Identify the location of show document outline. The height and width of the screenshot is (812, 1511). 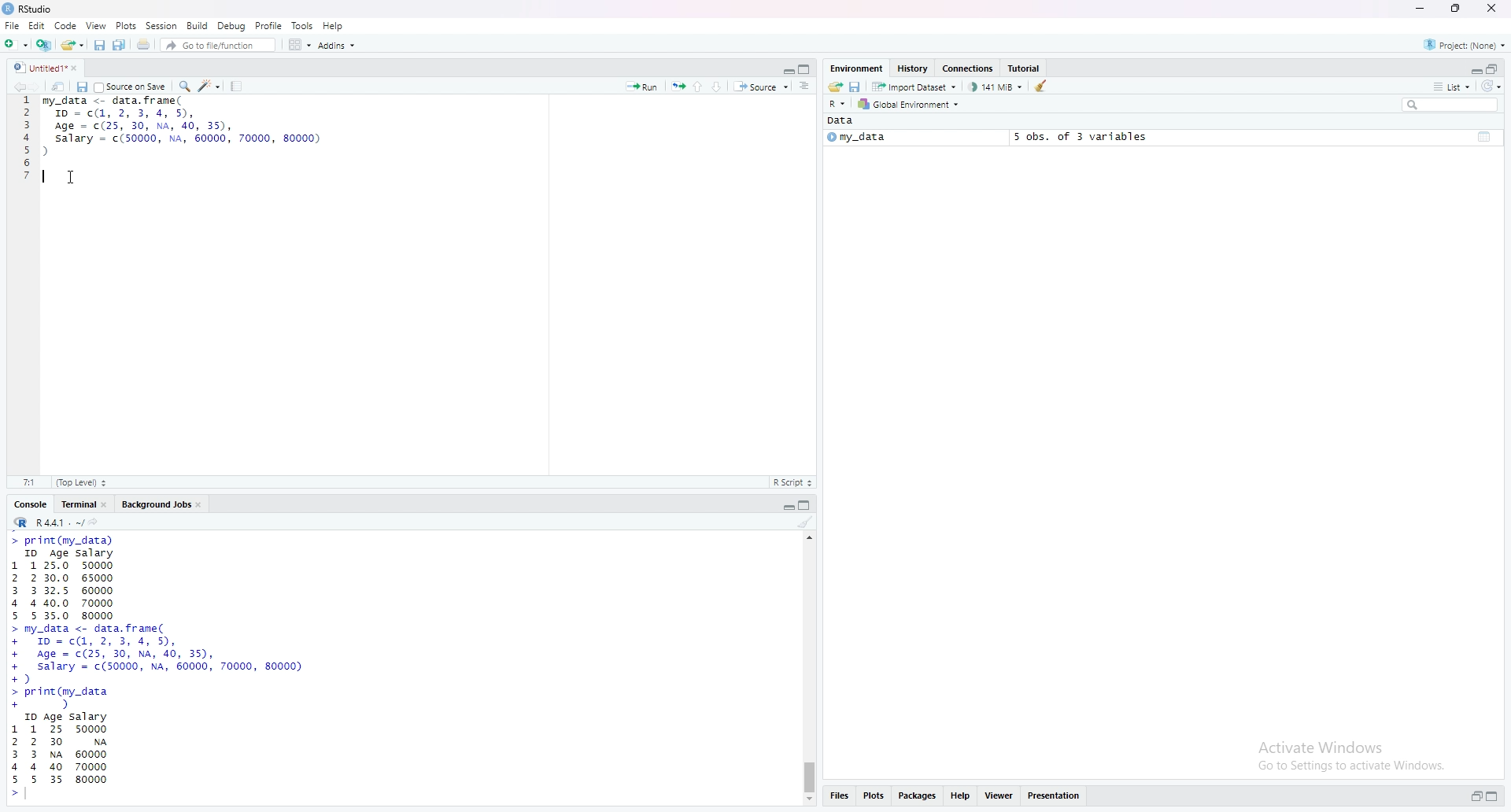
(806, 87).